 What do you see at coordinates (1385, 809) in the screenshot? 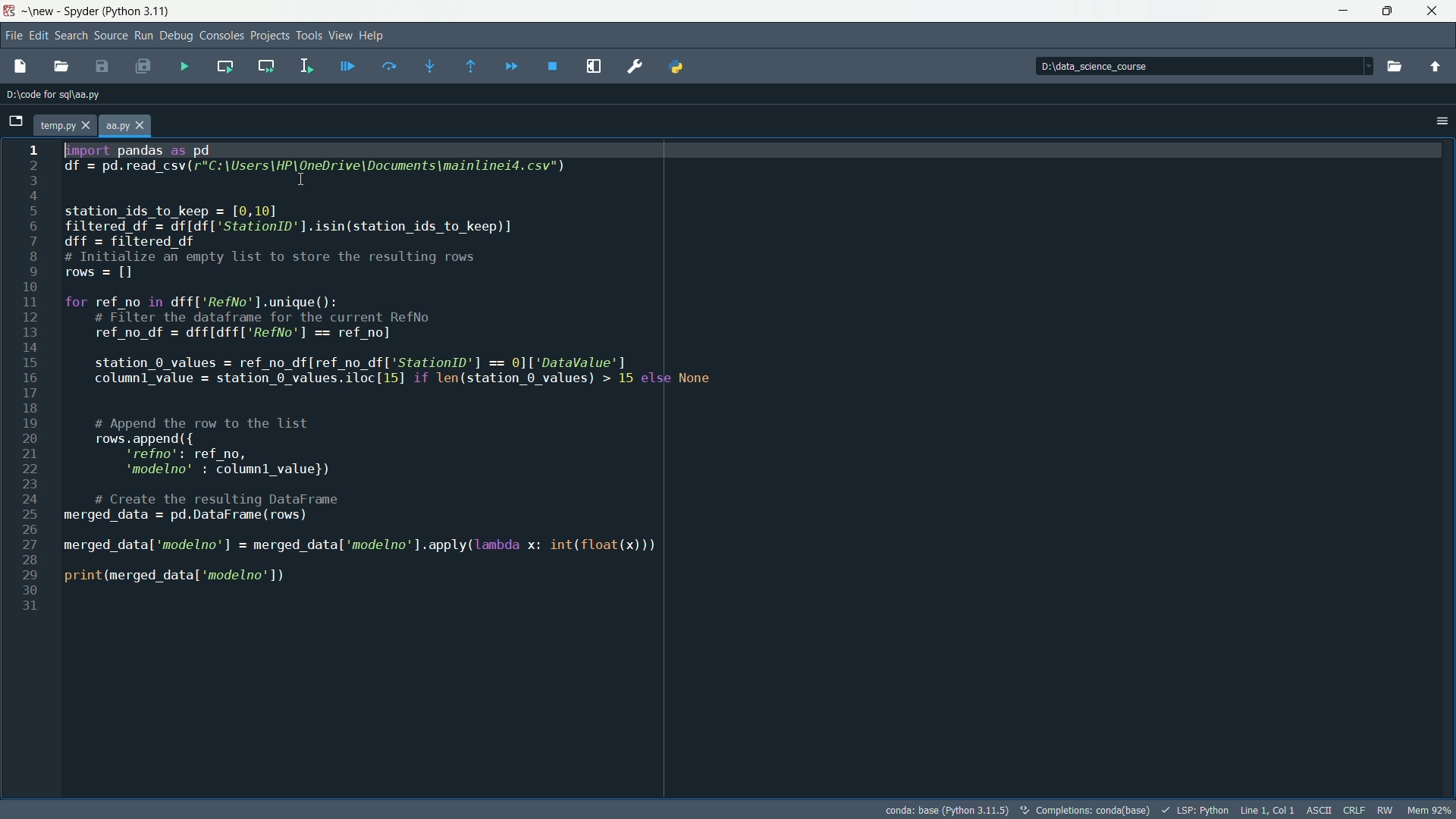
I see `rw` at bounding box center [1385, 809].